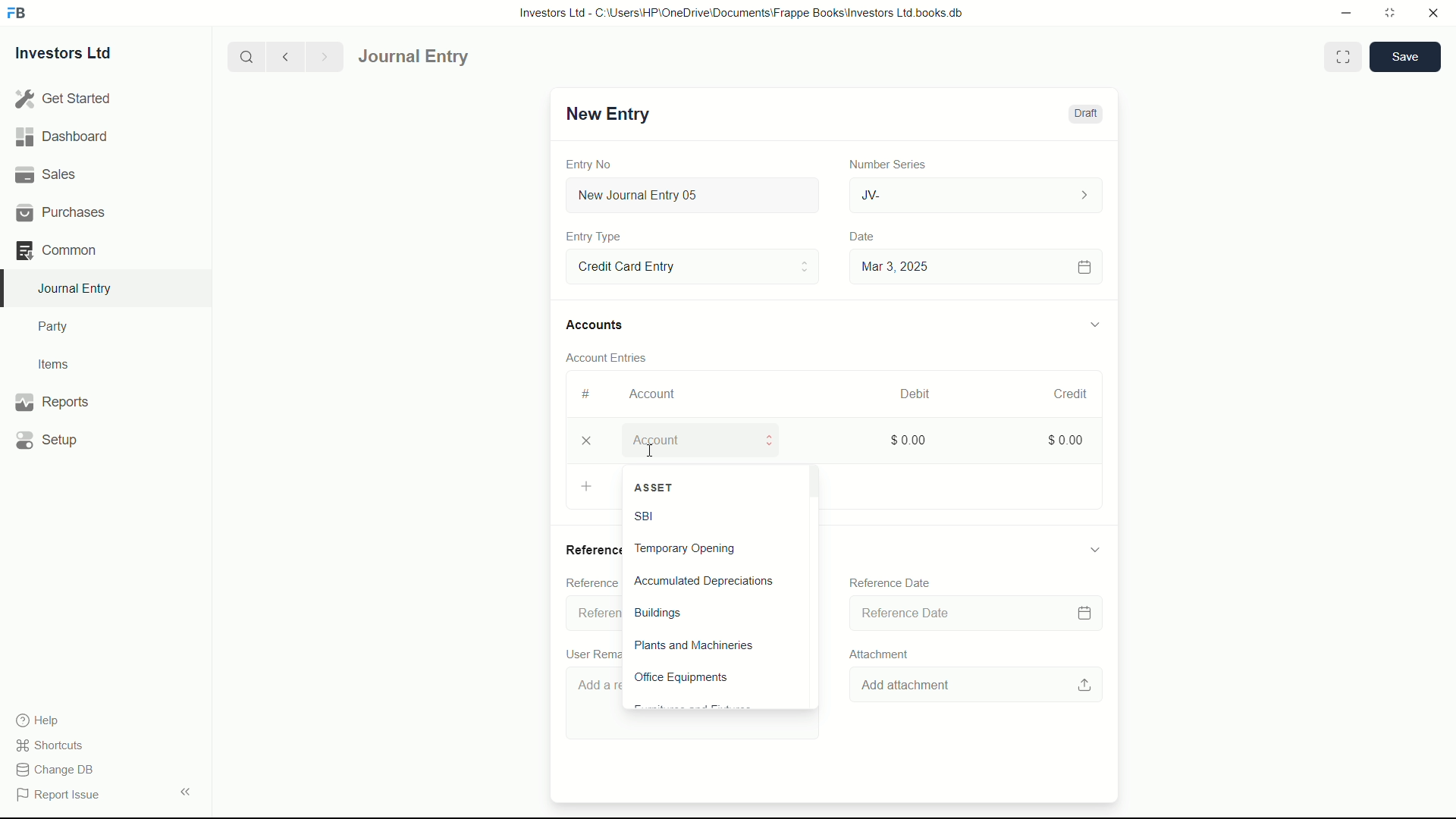 The height and width of the screenshot is (819, 1456). I want to click on Plants and Machineries, so click(711, 645).